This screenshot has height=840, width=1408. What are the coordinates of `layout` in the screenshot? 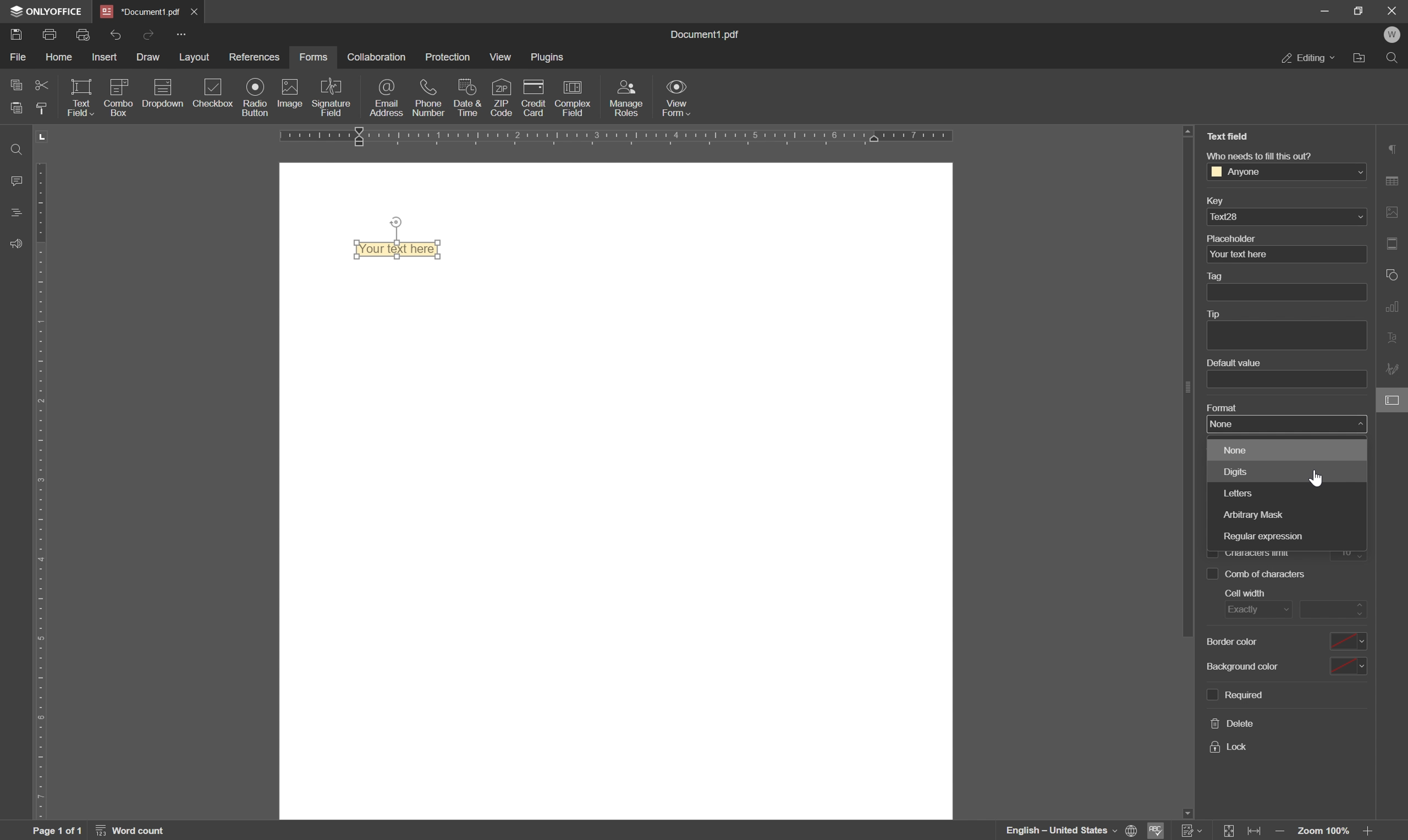 It's located at (197, 57).